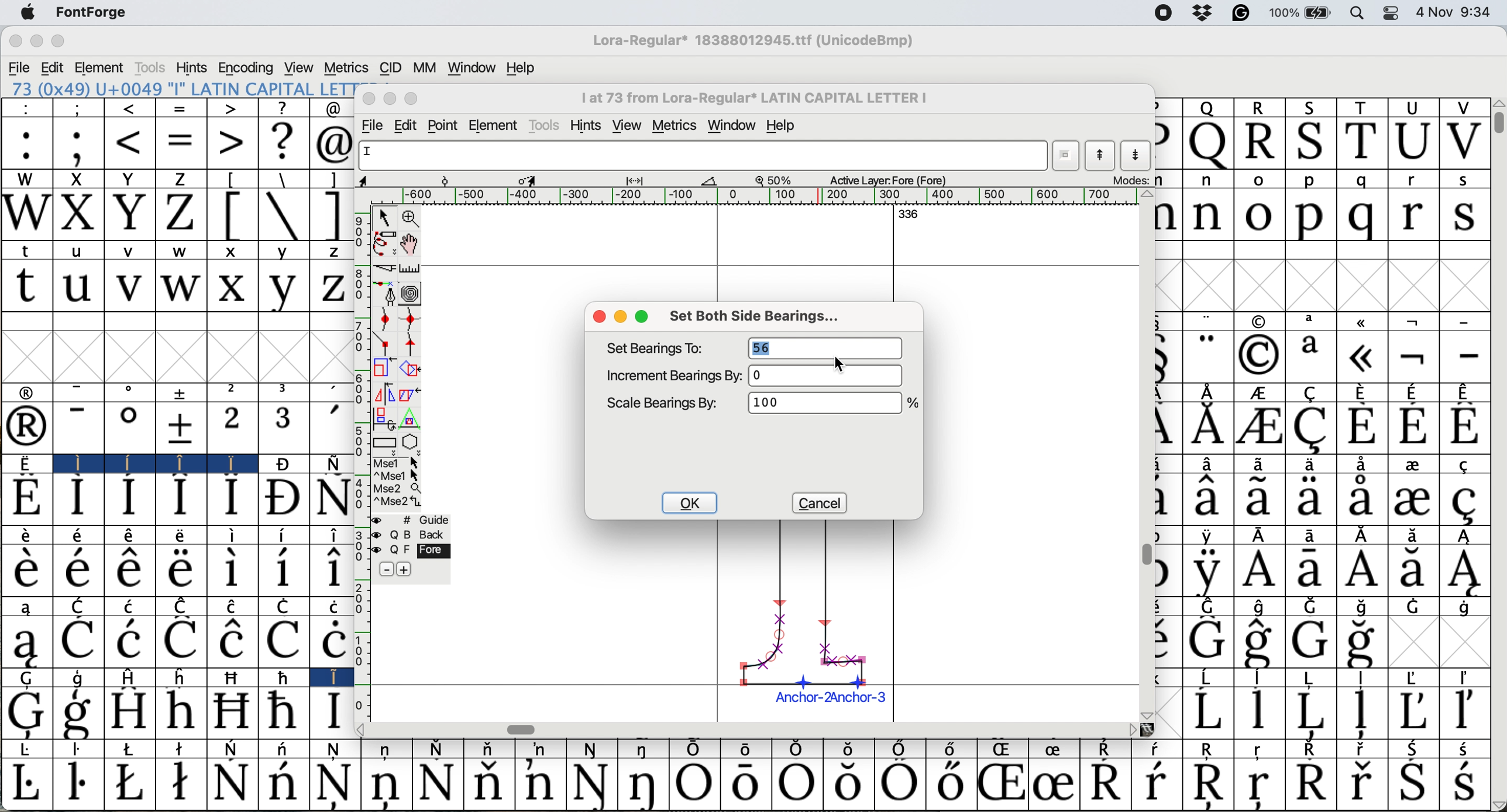 Image resolution: width=1507 pixels, height=812 pixels. Describe the element at coordinates (1129, 729) in the screenshot. I see `` at that location.